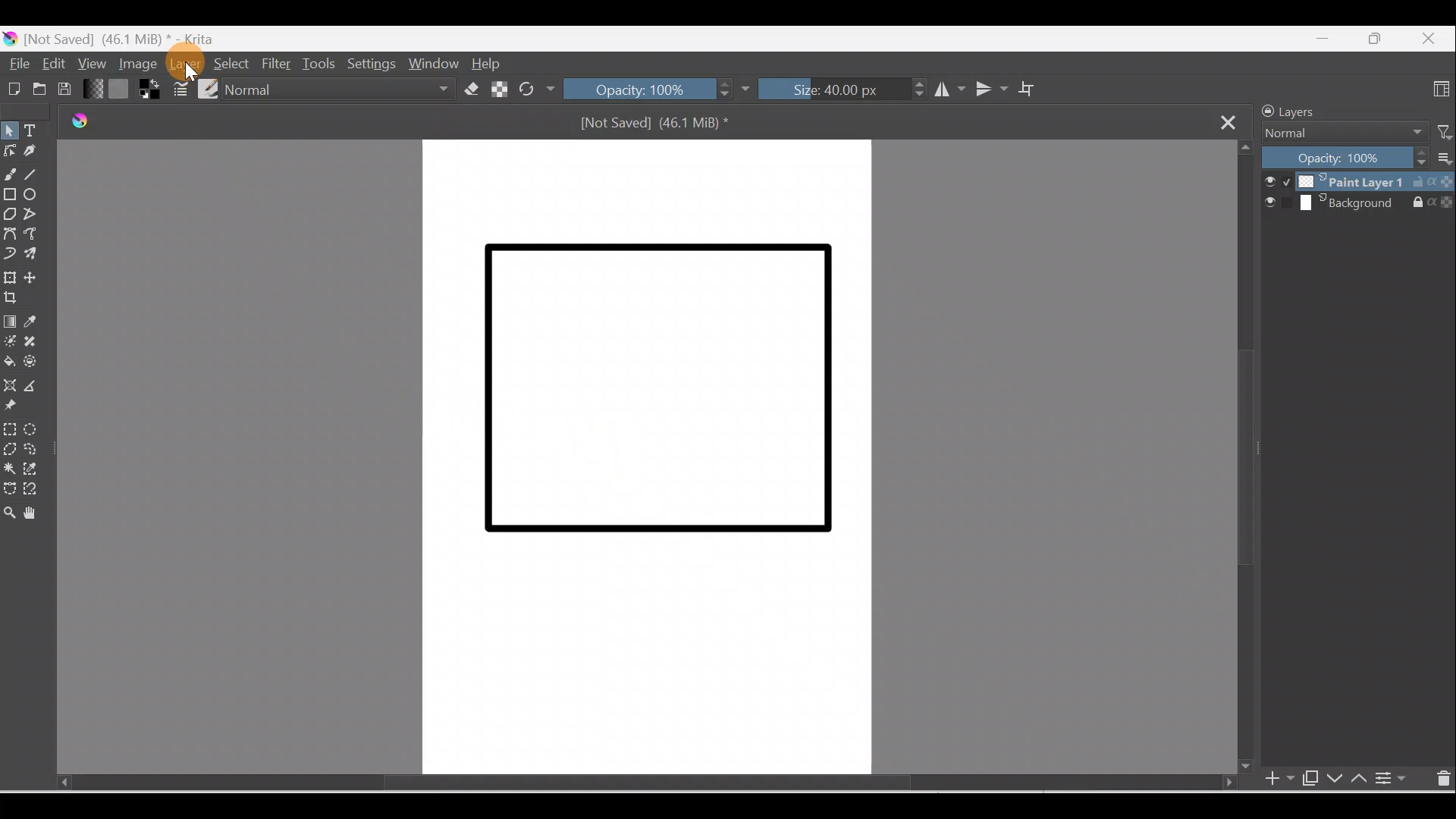  I want to click on Normal Blending mode, so click(344, 89).